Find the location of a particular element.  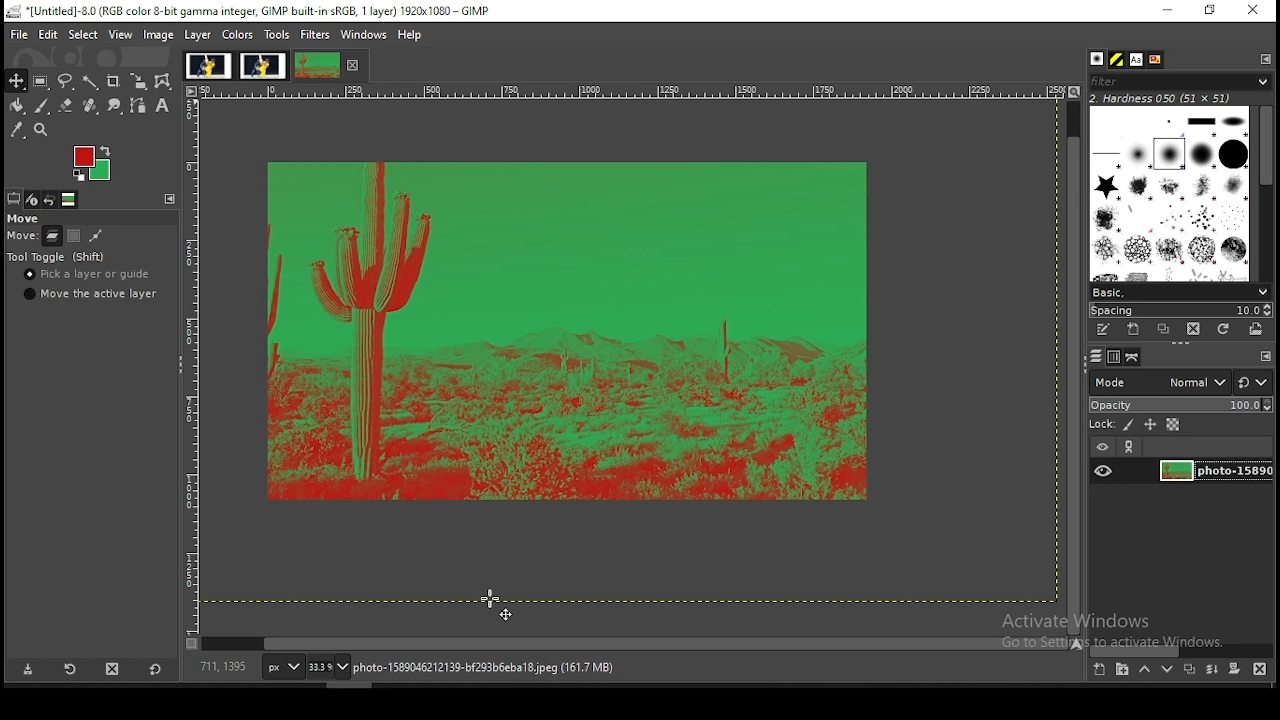

lock pixels is located at coordinates (1111, 423).